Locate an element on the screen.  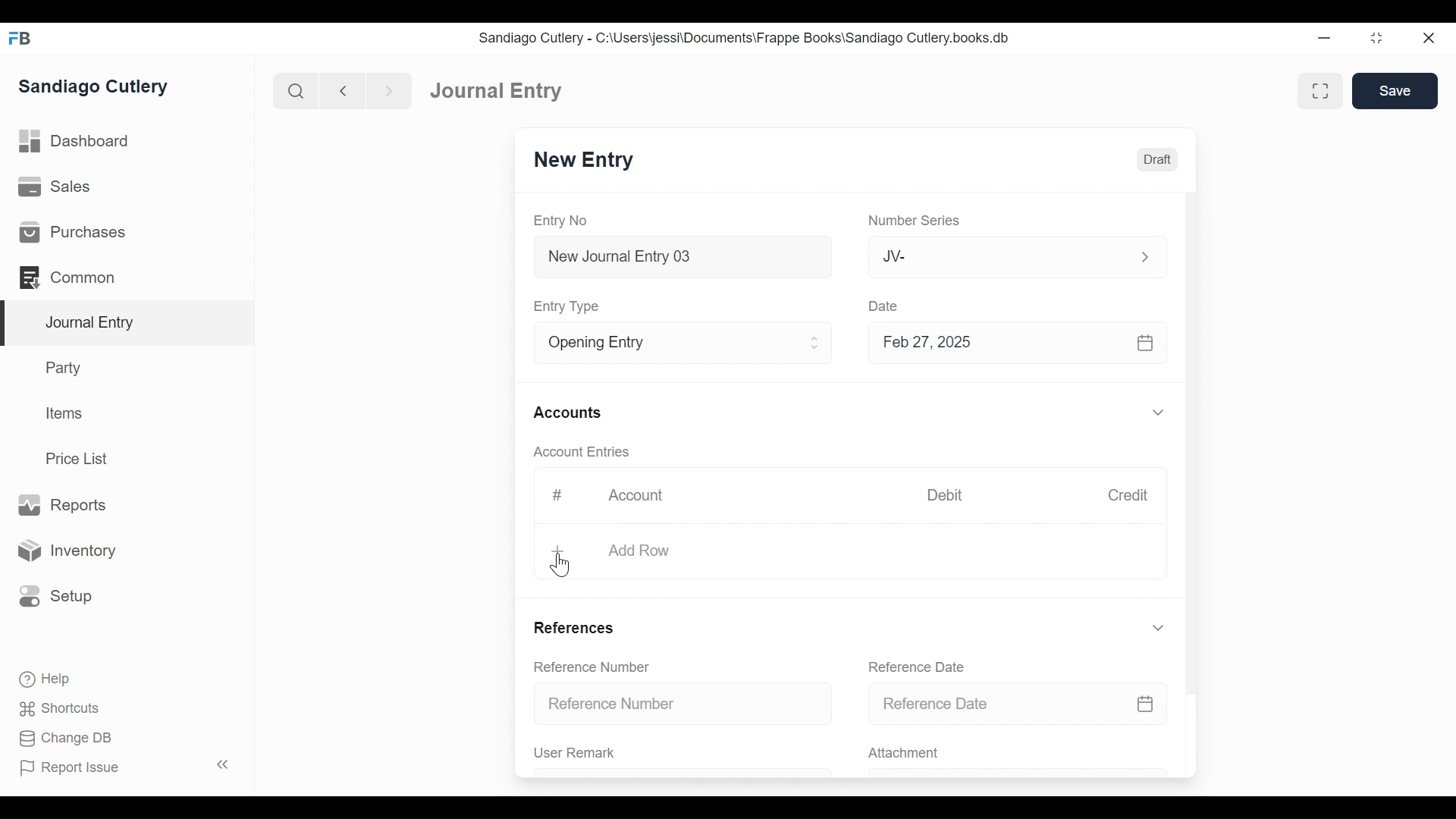
Reference Number is located at coordinates (592, 667).